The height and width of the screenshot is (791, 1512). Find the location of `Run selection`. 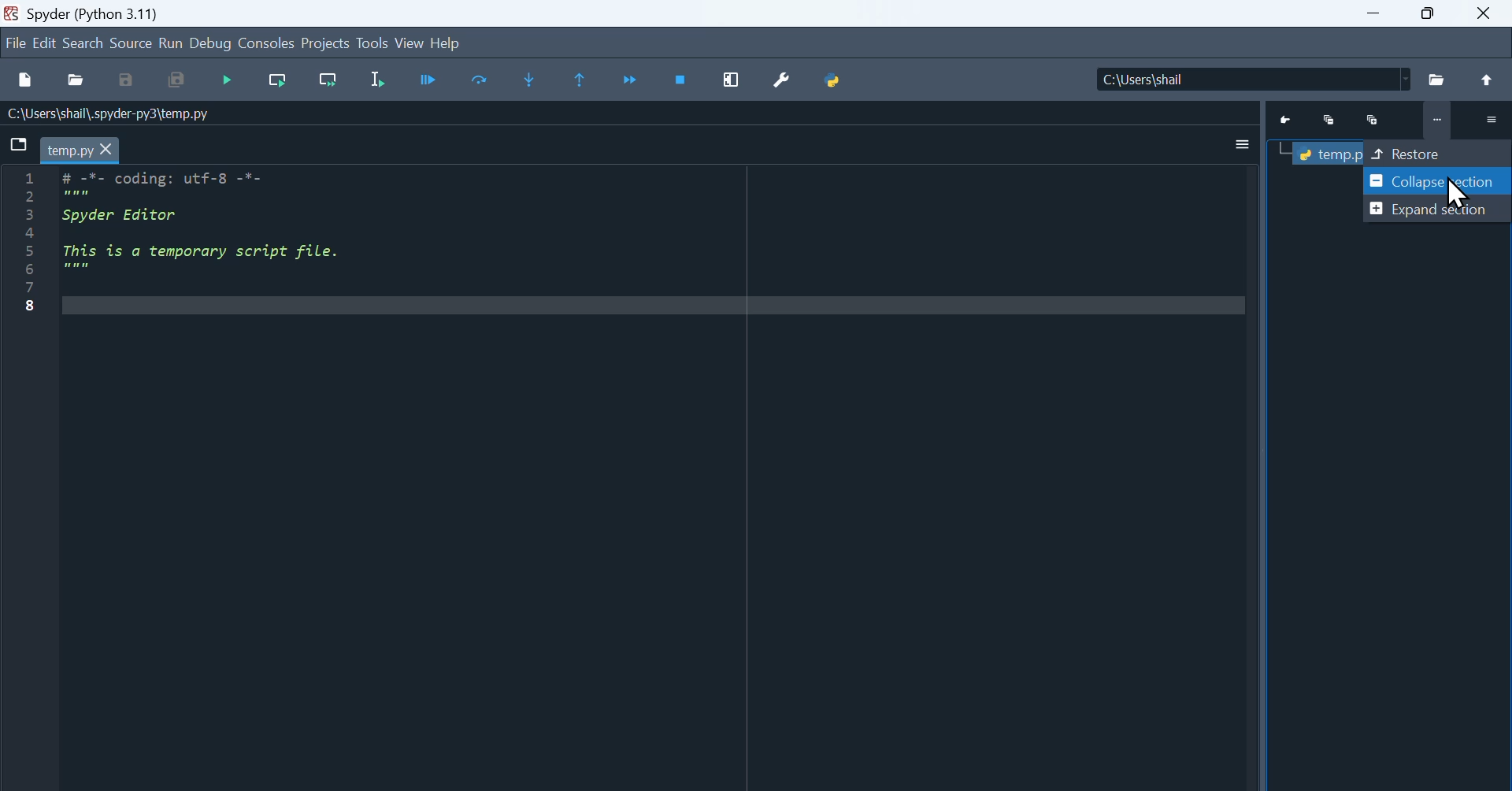

Run selection is located at coordinates (376, 83).